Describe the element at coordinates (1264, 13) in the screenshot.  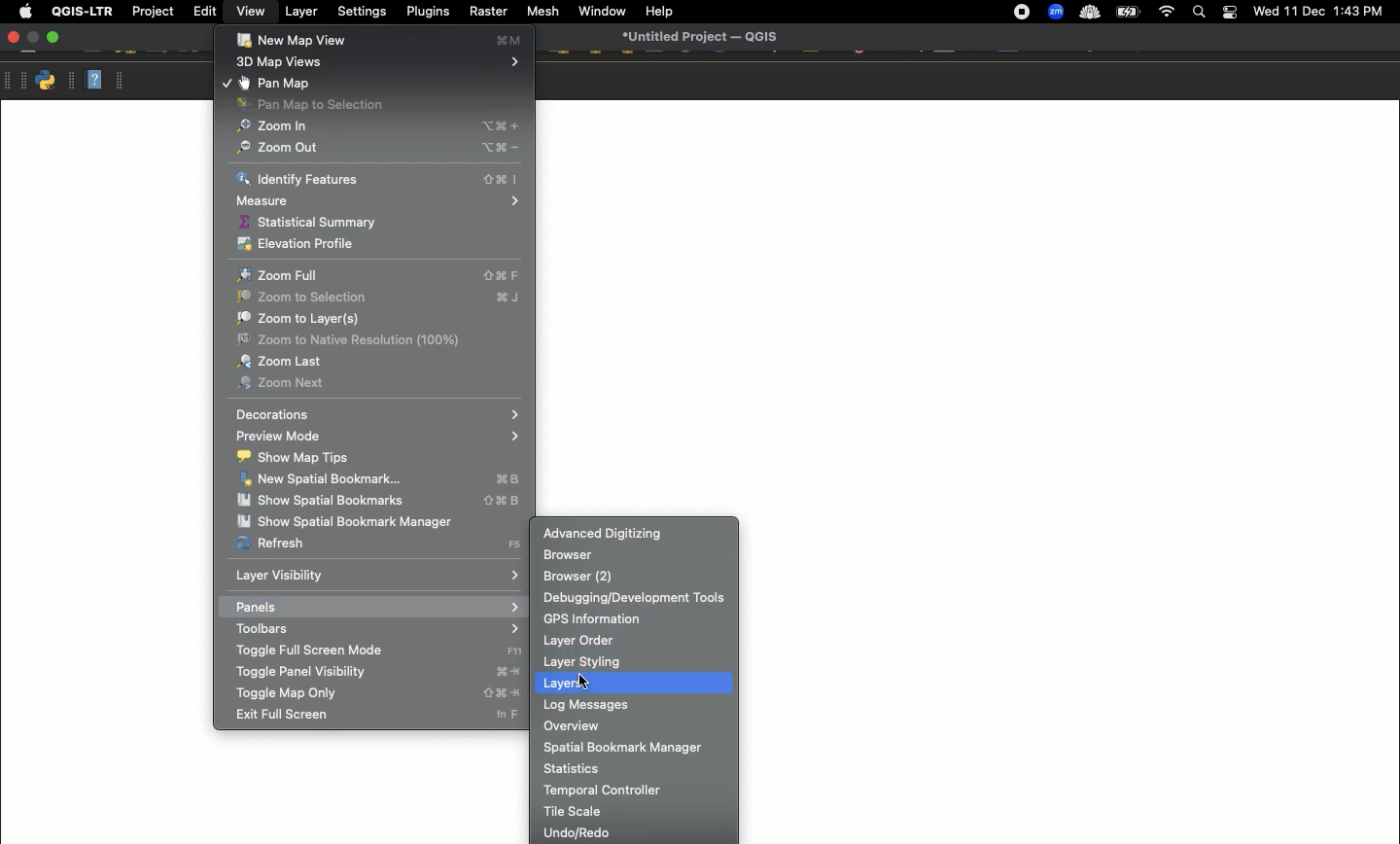
I see `wed` at that location.